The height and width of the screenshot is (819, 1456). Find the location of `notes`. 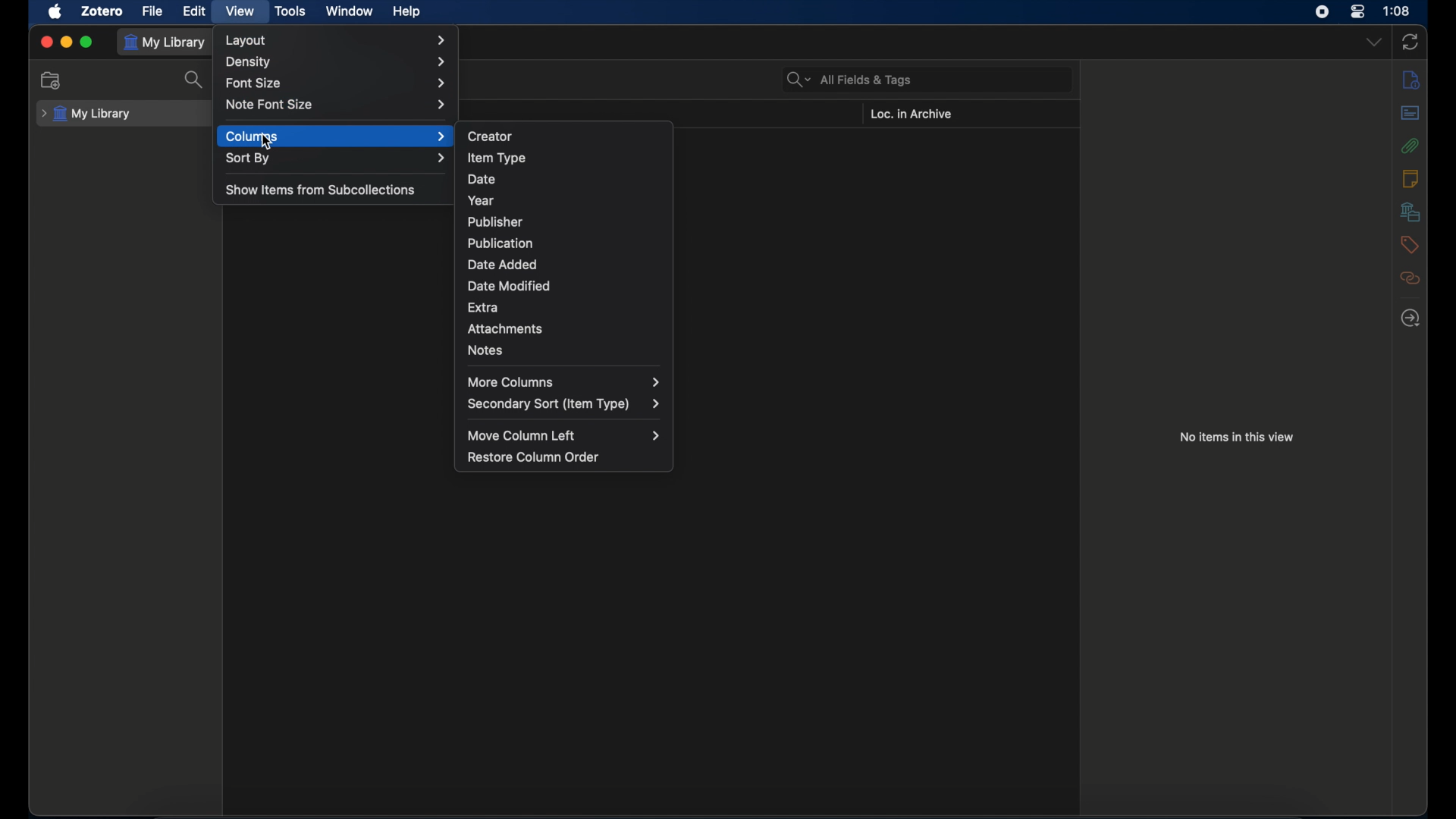

notes is located at coordinates (486, 350).